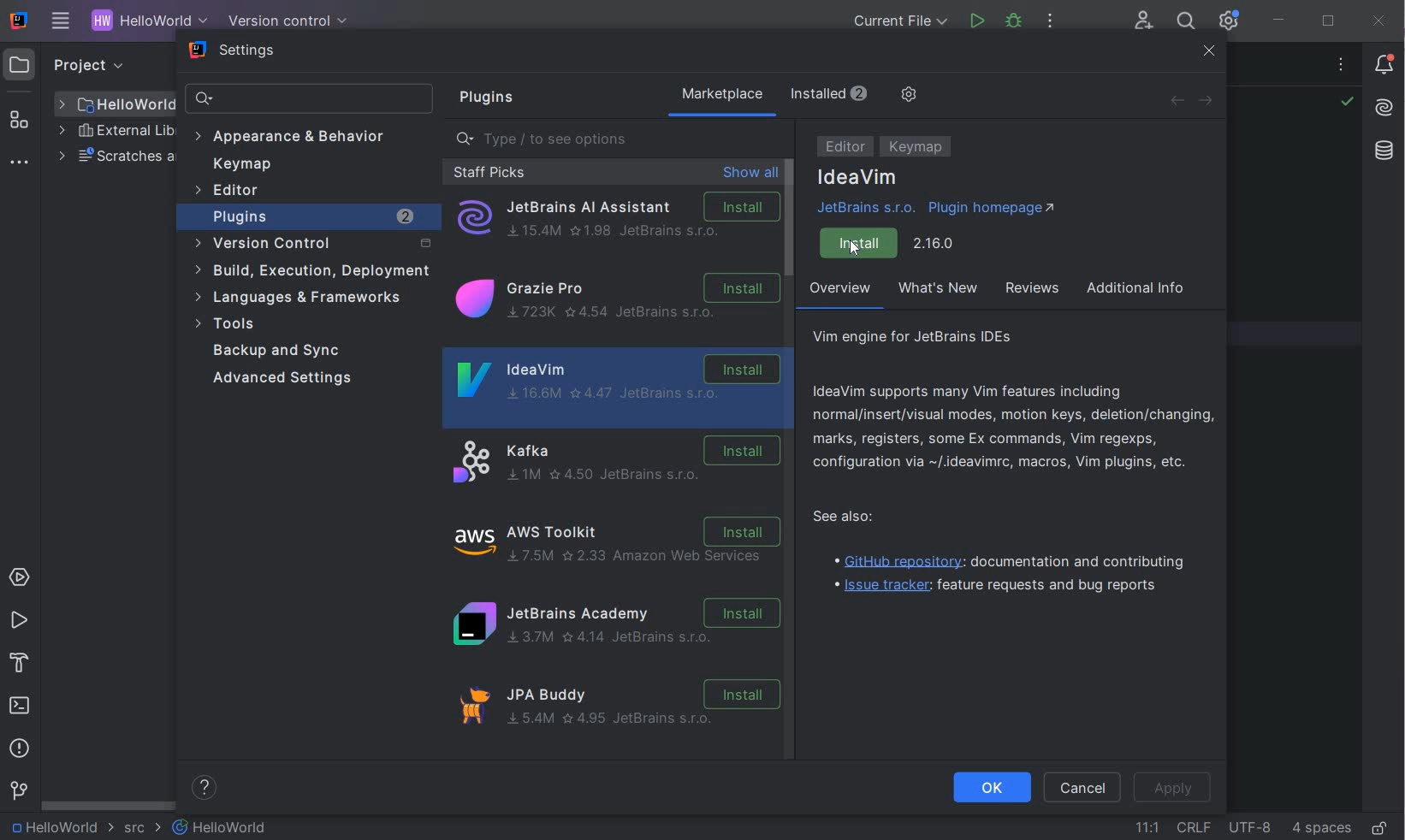  I want to click on RECENT FILES, TAB ACTIONS, AND MORE, so click(1343, 67).